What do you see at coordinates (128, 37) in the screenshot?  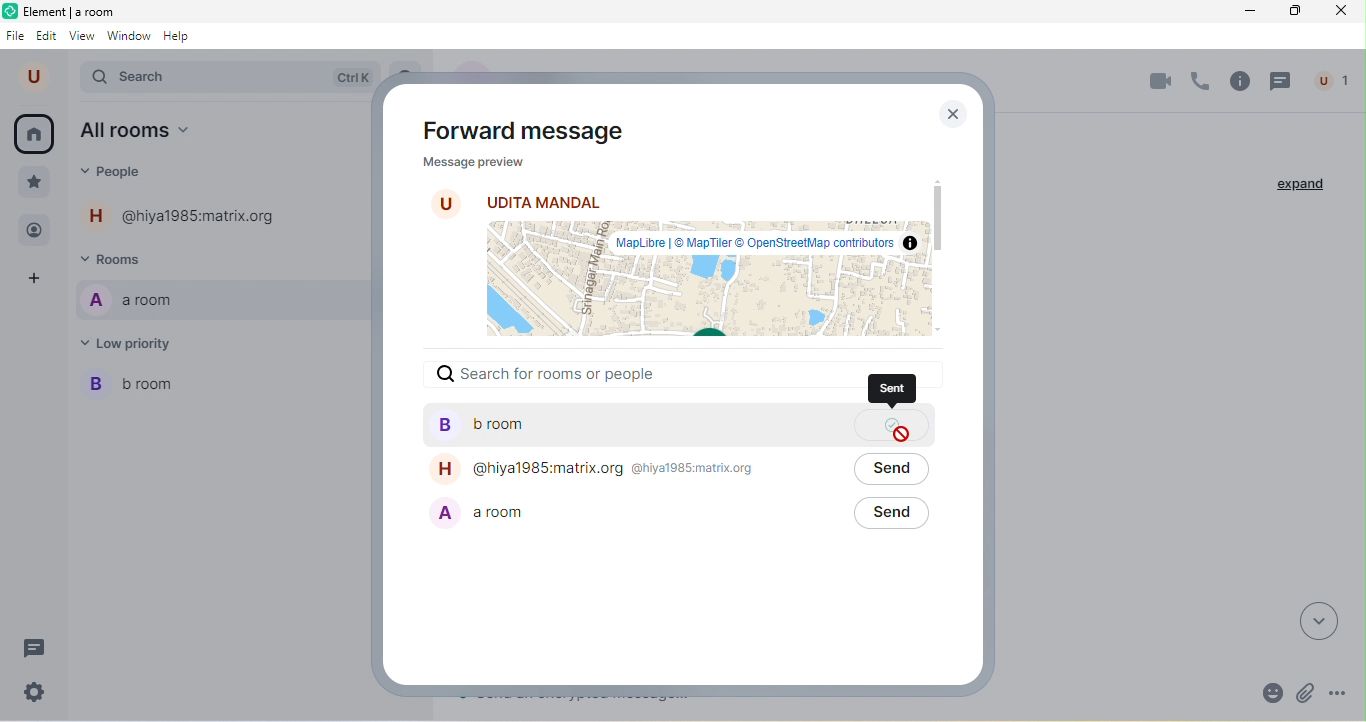 I see `window` at bounding box center [128, 37].